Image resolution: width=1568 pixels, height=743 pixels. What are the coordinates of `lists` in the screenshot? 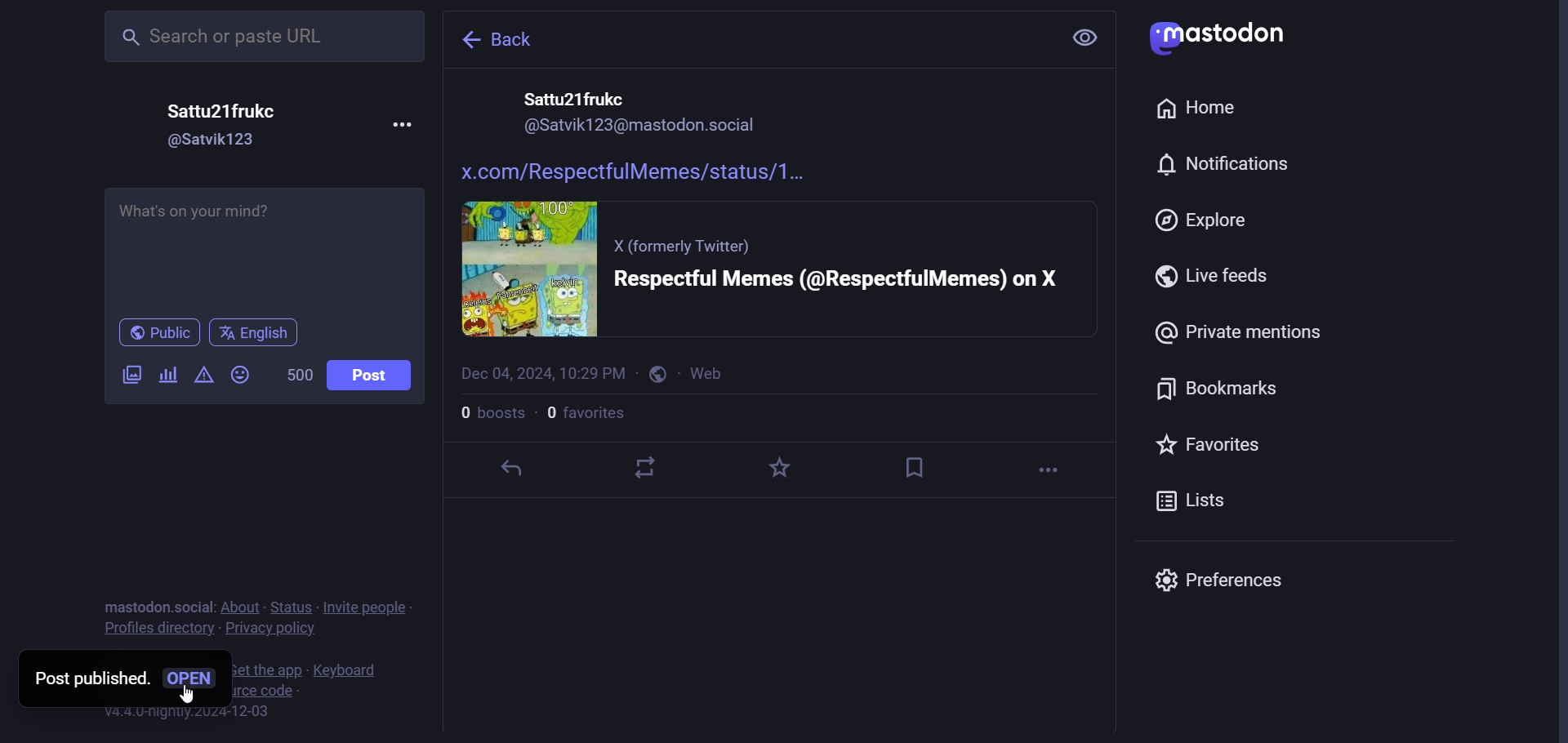 It's located at (1195, 500).